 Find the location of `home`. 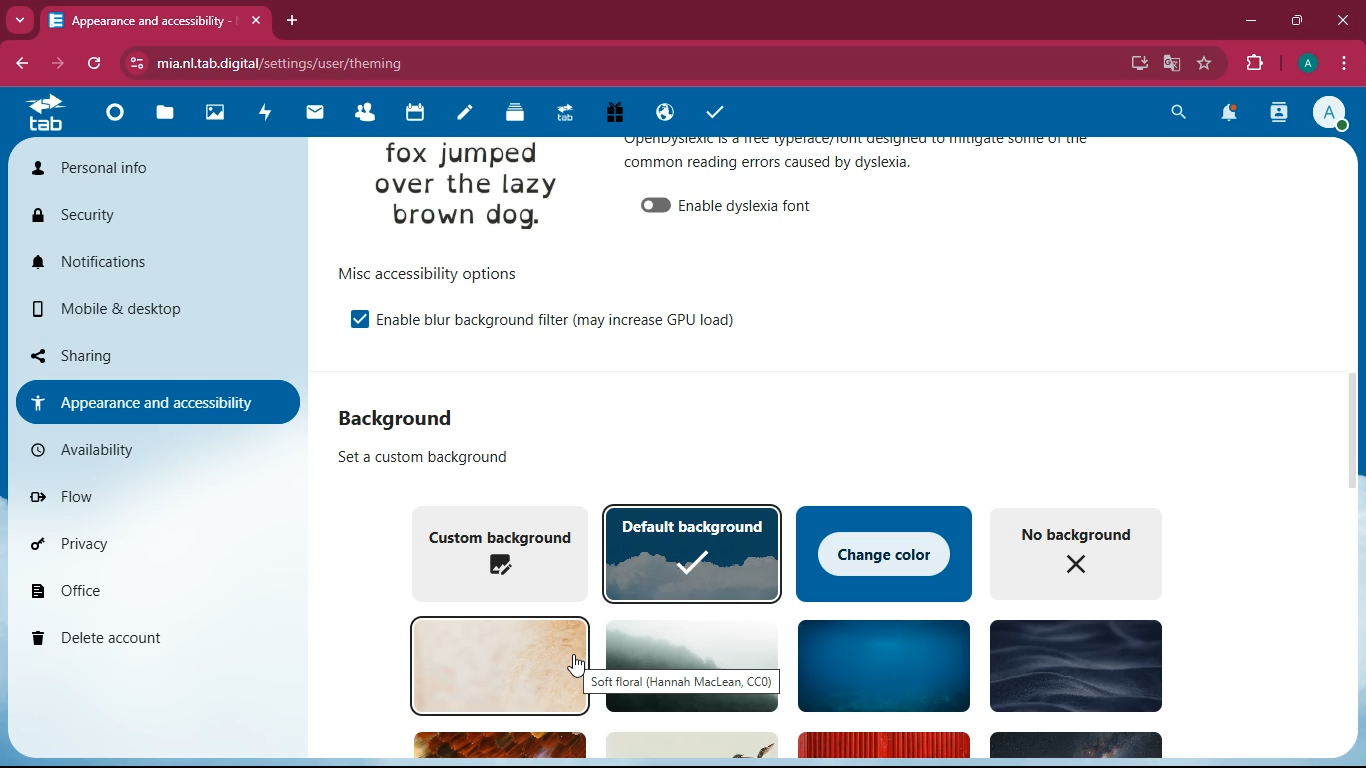

home is located at coordinates (115, 114).